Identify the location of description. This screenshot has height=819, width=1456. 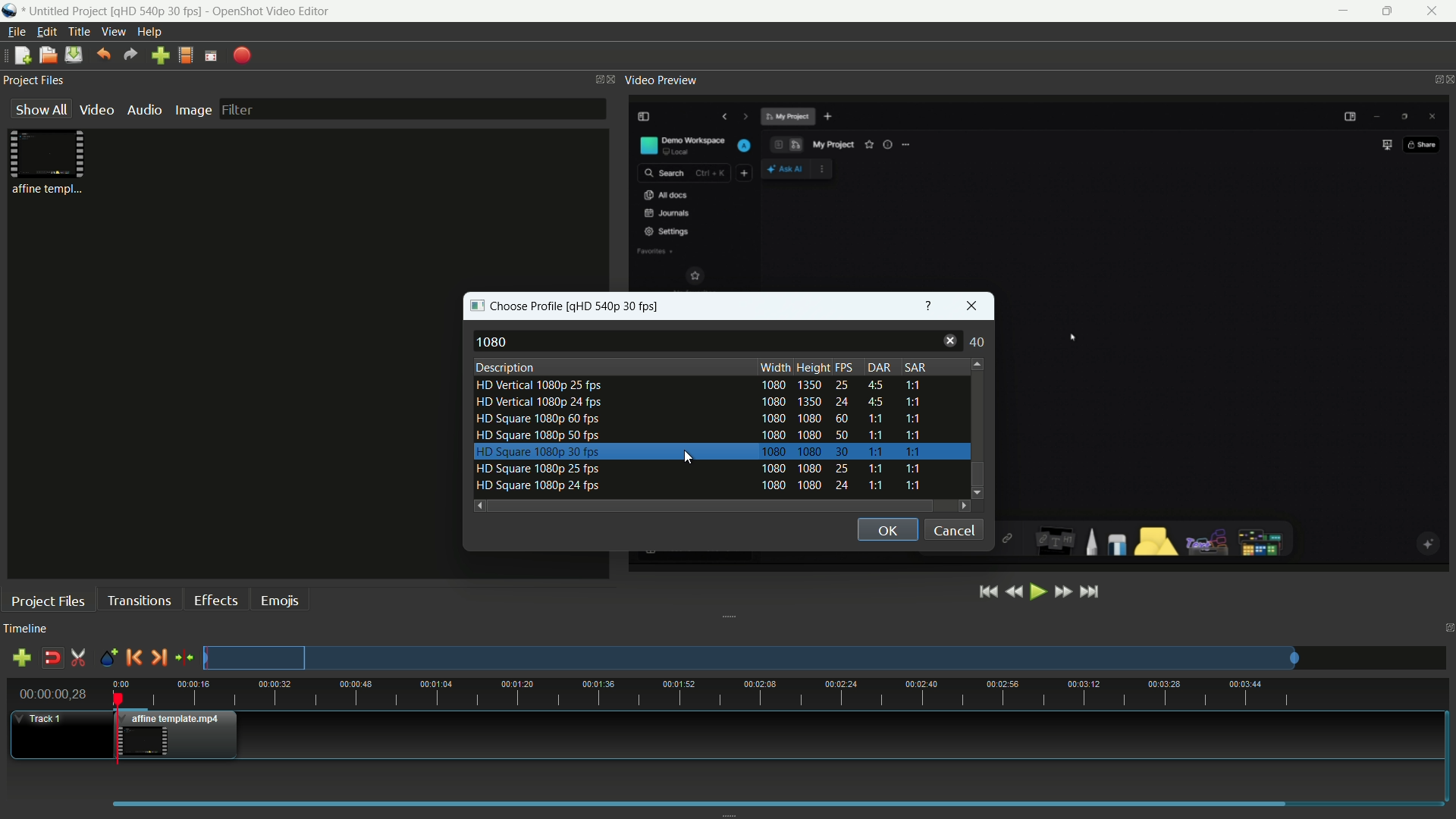
(506, 368).